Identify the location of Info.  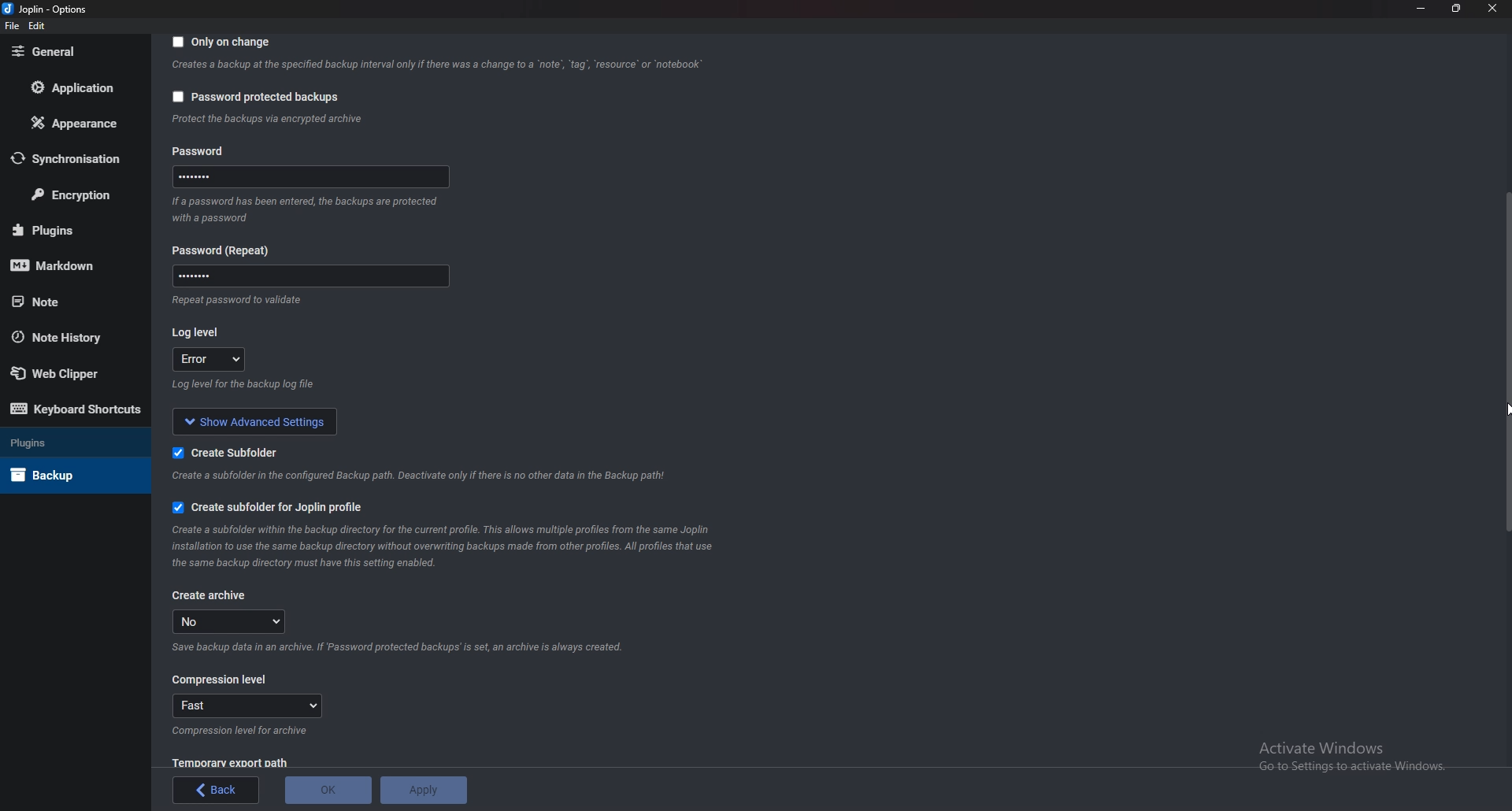
(405, 646).